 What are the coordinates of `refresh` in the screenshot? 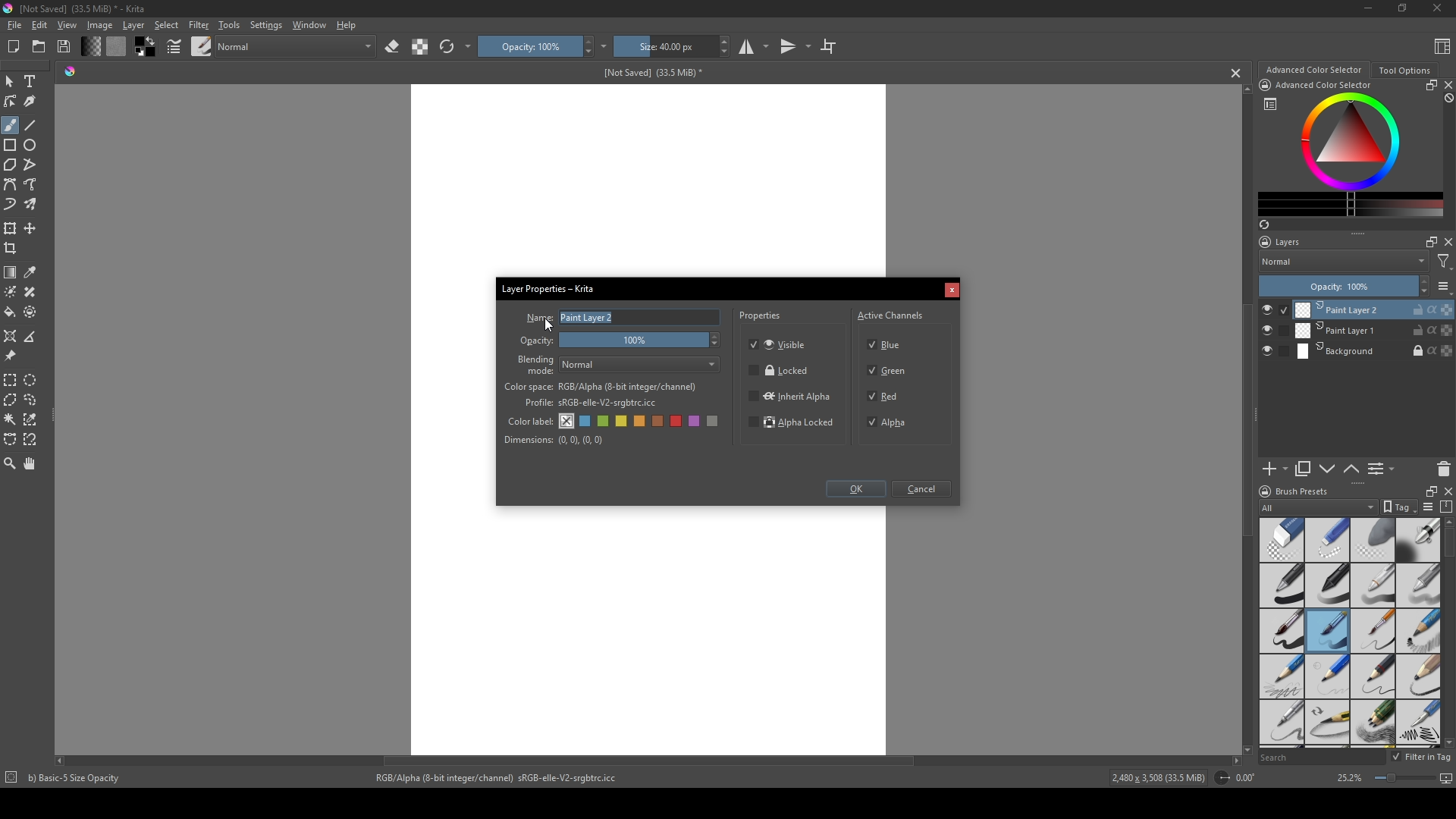 It's located at (447, 47).